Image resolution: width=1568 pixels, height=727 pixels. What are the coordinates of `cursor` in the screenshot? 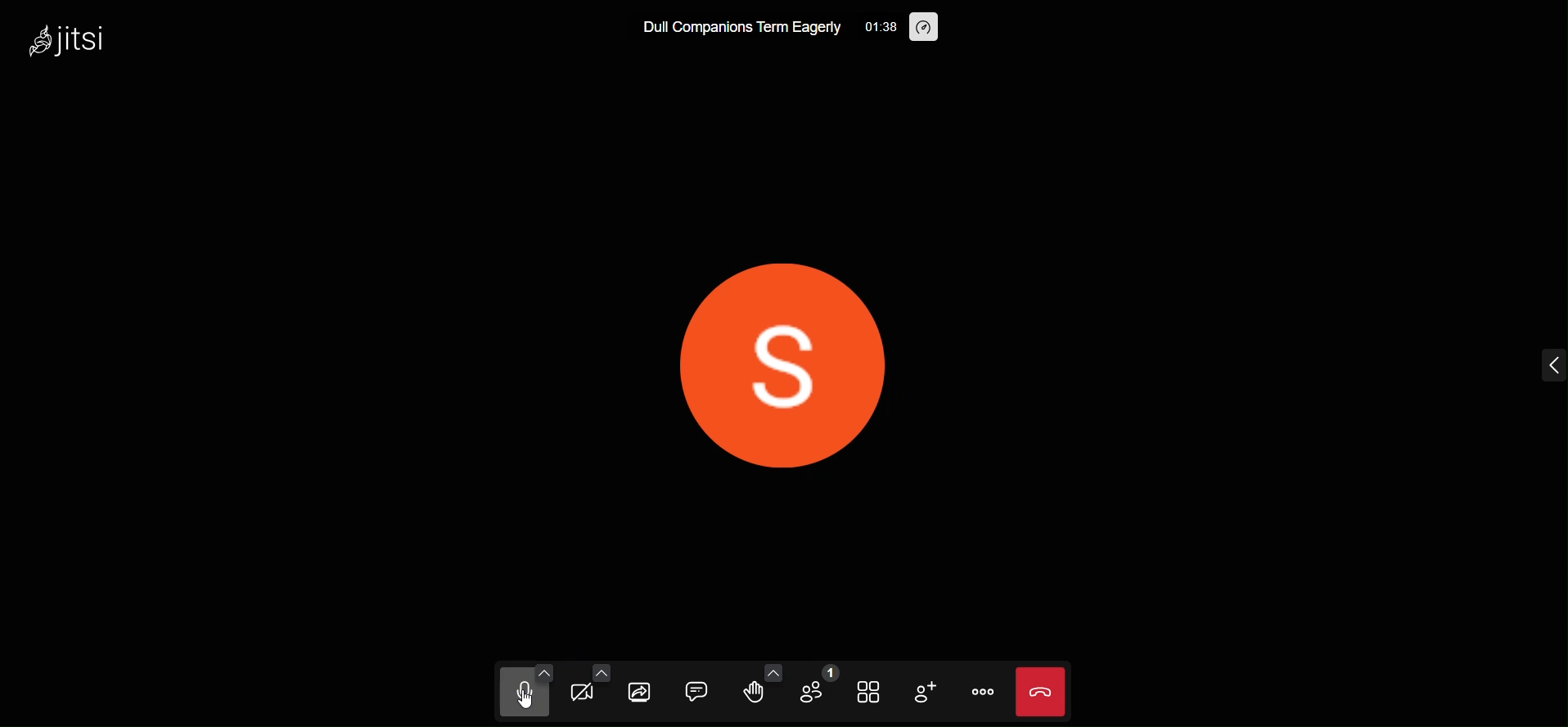 It's located at (516, 707).